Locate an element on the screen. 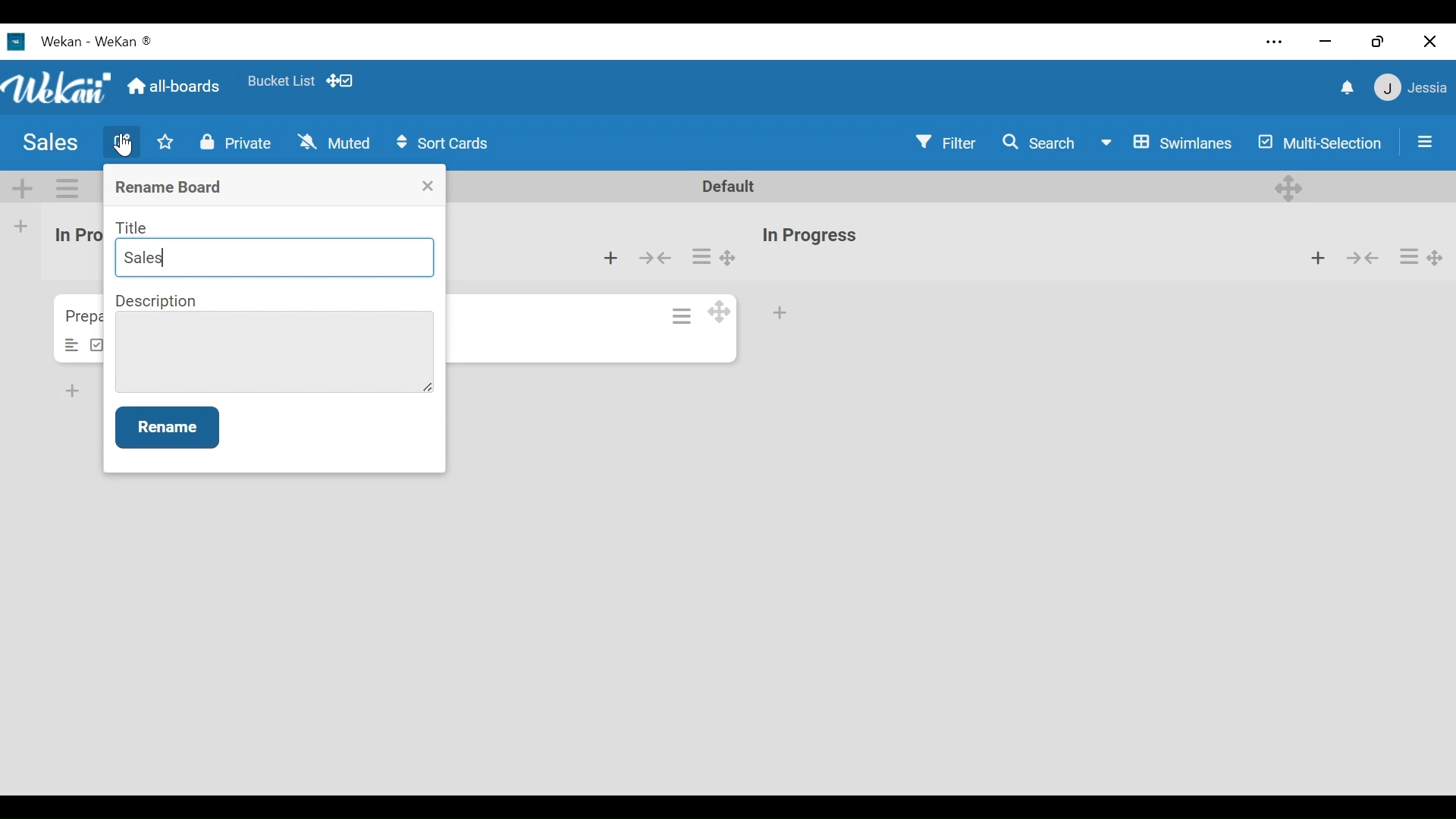  Sort cards is located at coordinates (442, 144).